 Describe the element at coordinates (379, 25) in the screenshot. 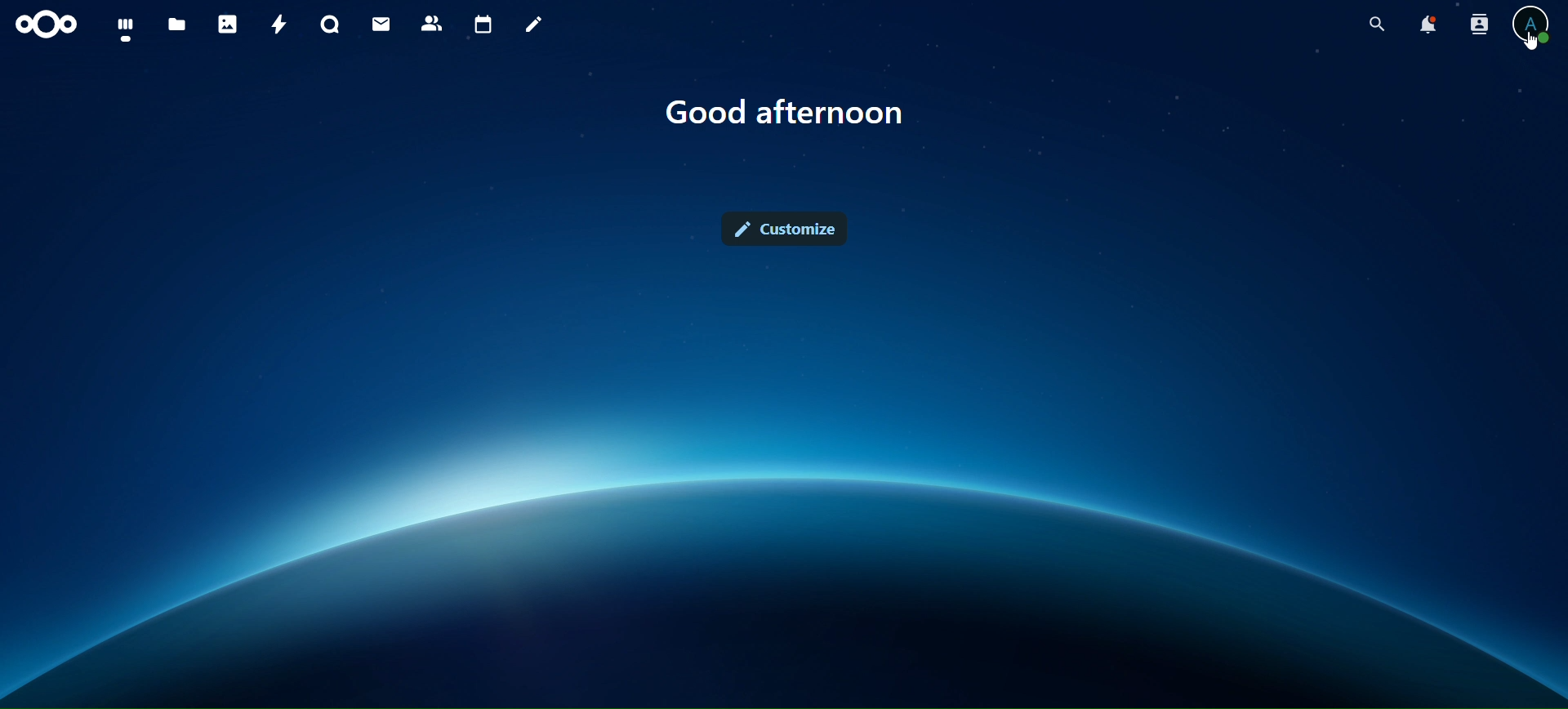

I see `mail` at that location.